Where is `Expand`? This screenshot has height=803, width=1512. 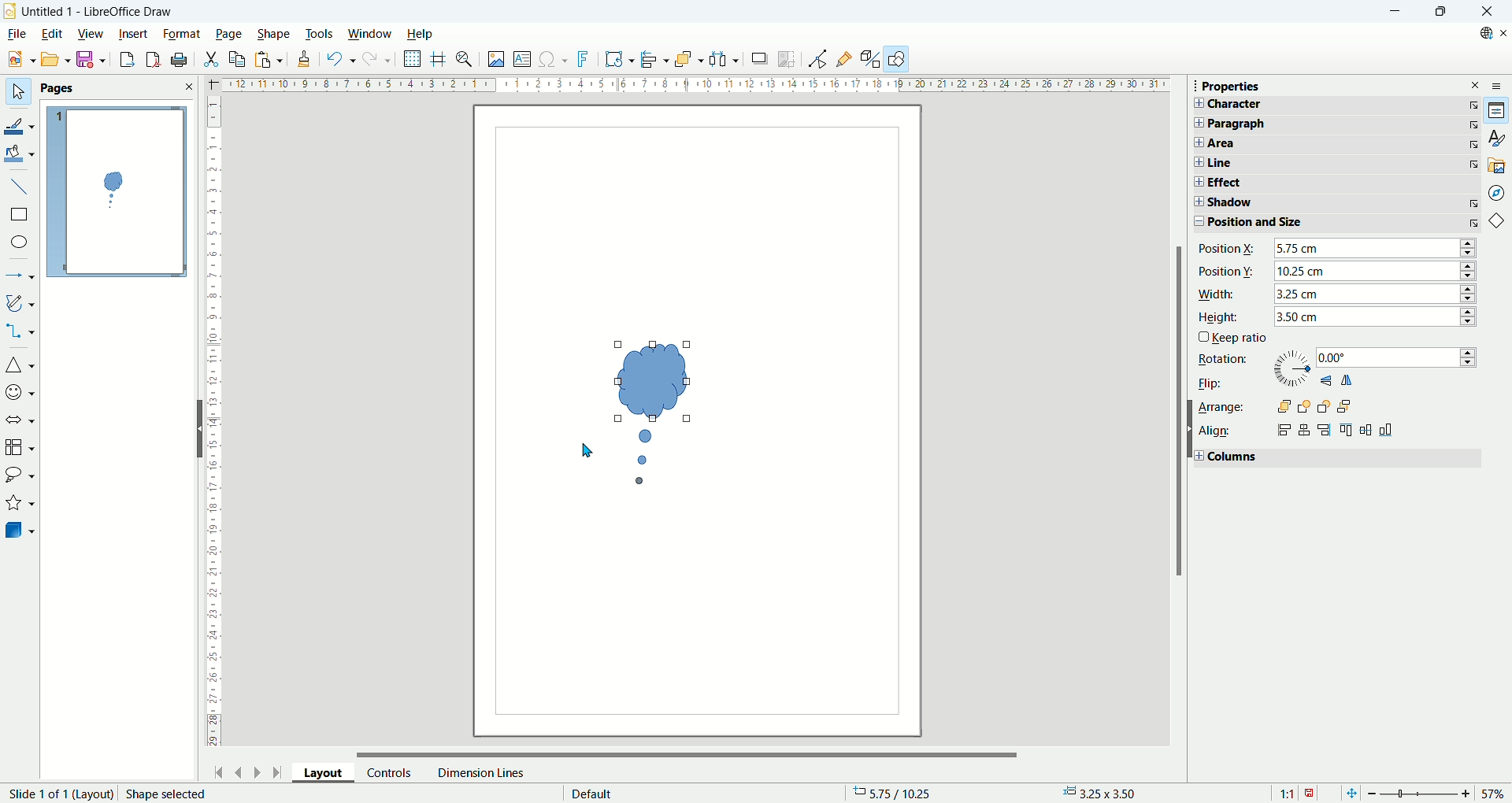
Expand is located at coordinates (1197, 162).